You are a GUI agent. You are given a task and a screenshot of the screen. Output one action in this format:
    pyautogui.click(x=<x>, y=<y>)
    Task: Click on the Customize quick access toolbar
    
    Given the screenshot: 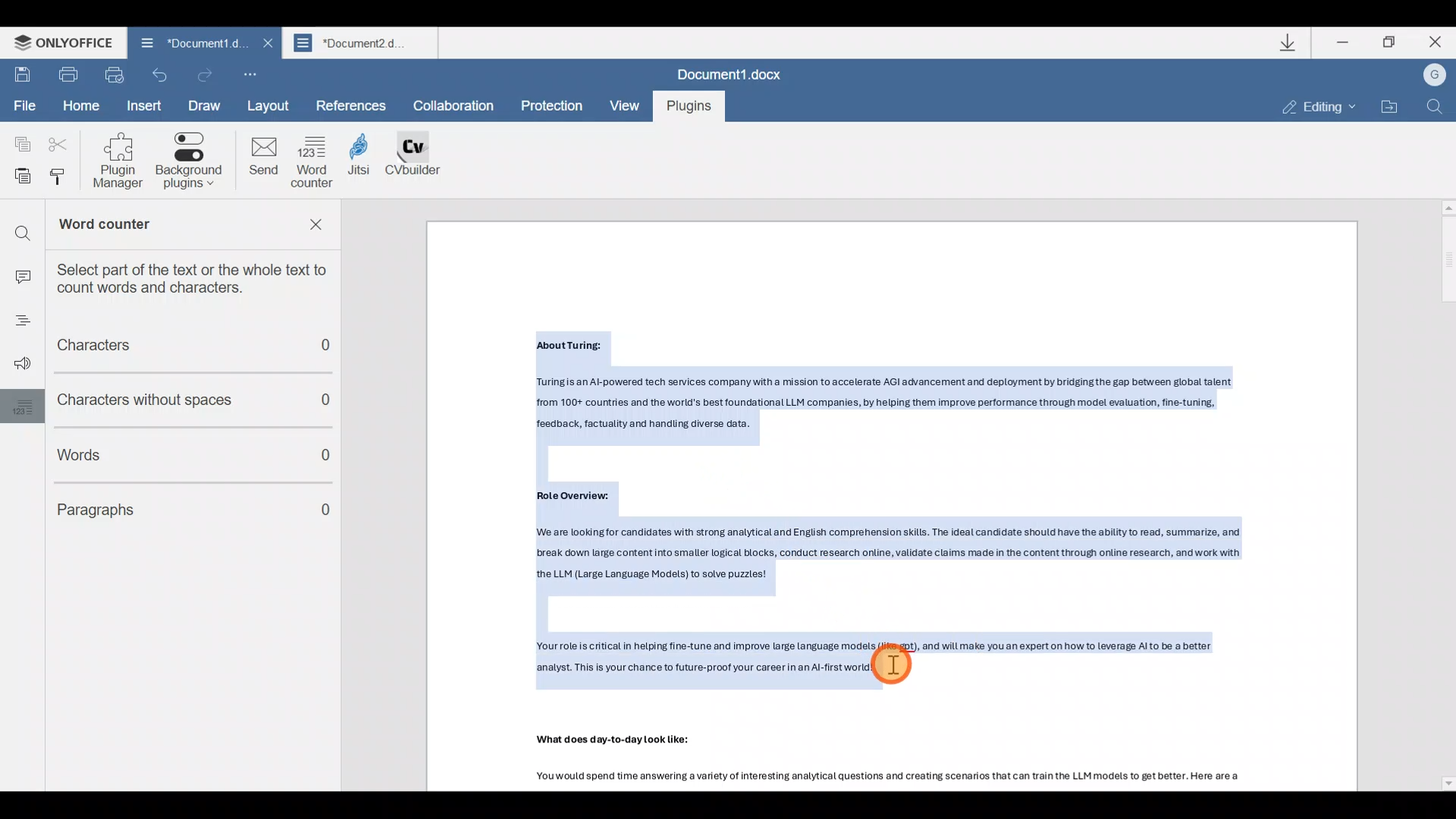 What is the action you would take?
    pyautogui.click(x=247, y=70)
    